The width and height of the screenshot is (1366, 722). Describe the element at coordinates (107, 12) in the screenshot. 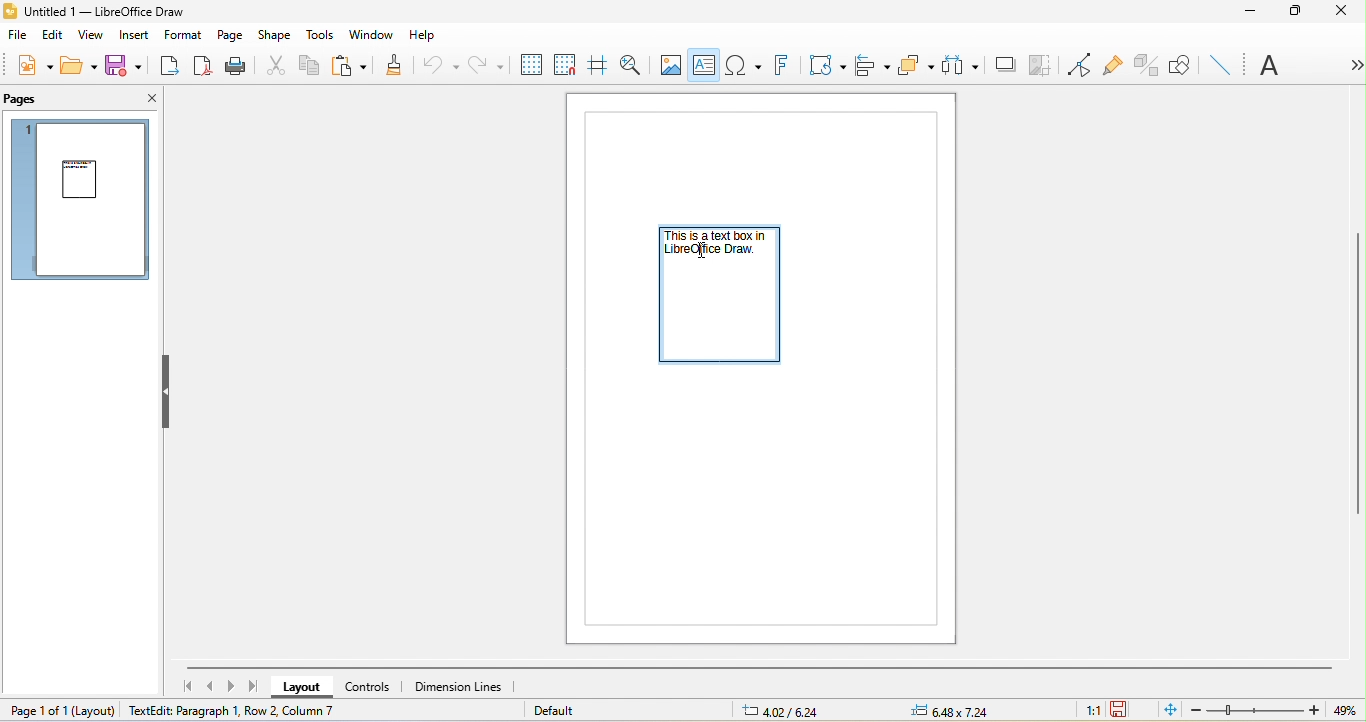

I see `title` at that location.